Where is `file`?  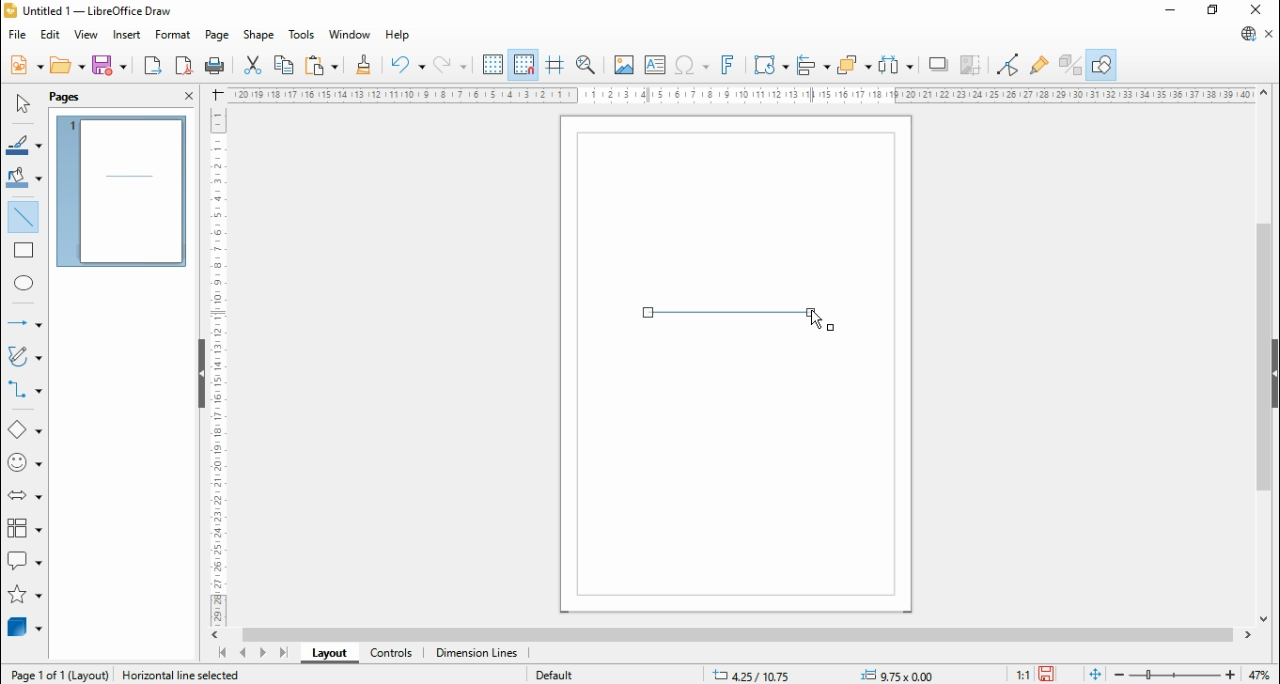
file is located at coordinates (16, 35).